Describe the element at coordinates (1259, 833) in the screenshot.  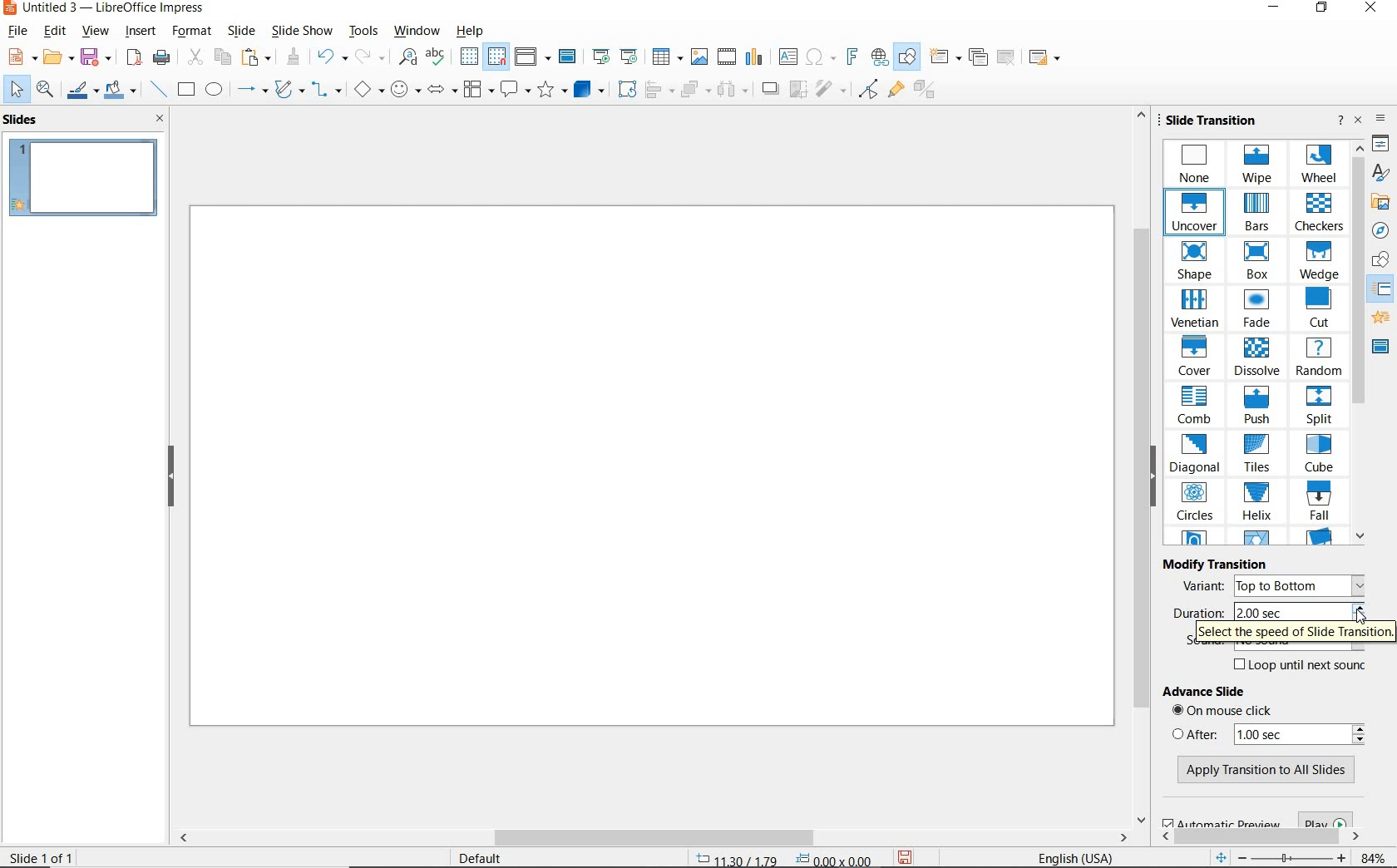
I see `SCROLLBAR` at that location.